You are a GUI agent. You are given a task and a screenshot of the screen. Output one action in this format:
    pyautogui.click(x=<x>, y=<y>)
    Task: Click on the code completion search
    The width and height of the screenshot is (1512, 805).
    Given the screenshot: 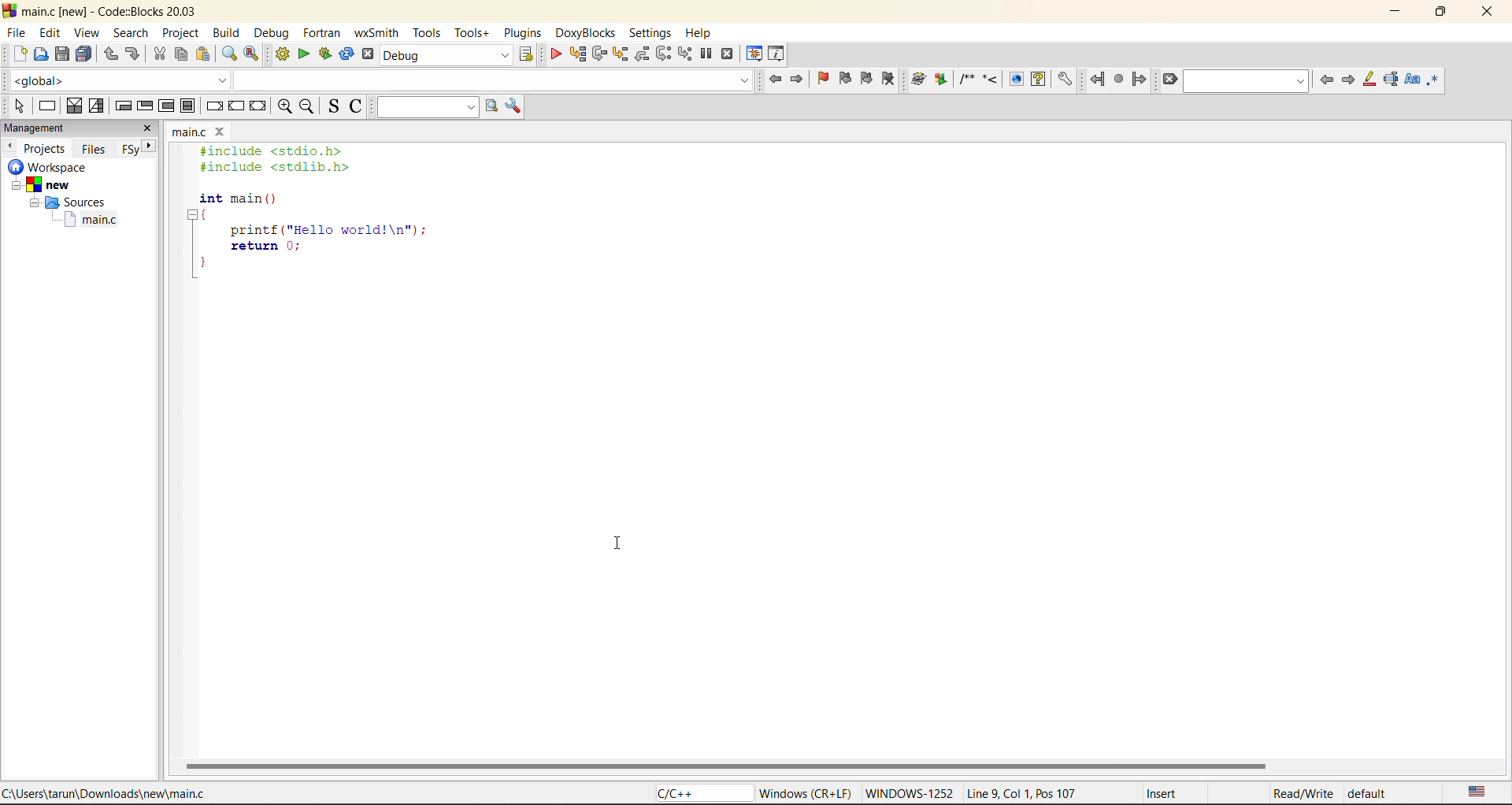 What is the action you would take?
    pyautogui.click(x=493, y=79)
    